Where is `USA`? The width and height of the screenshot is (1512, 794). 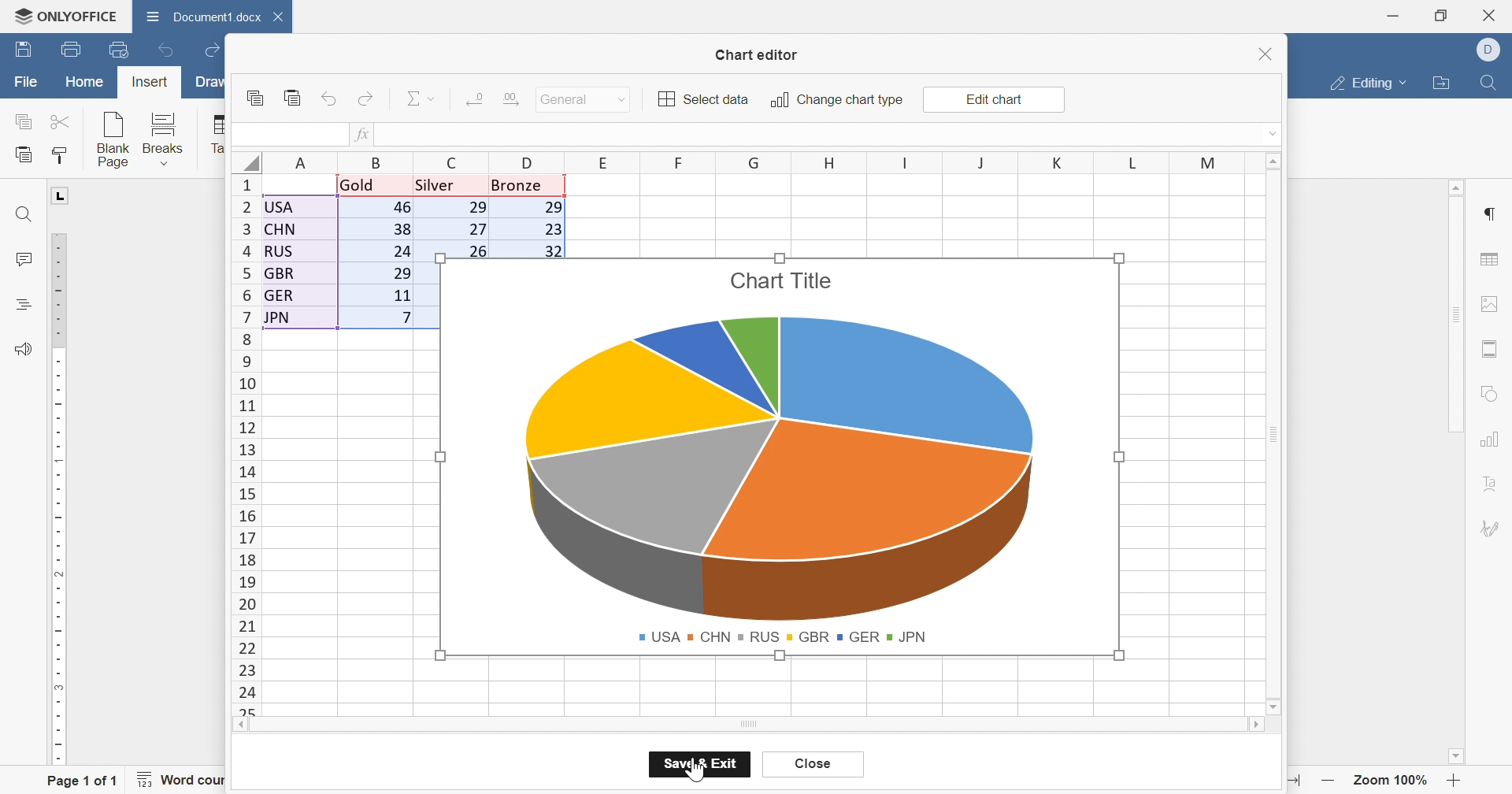 USA is located at coordinates (282, 206).